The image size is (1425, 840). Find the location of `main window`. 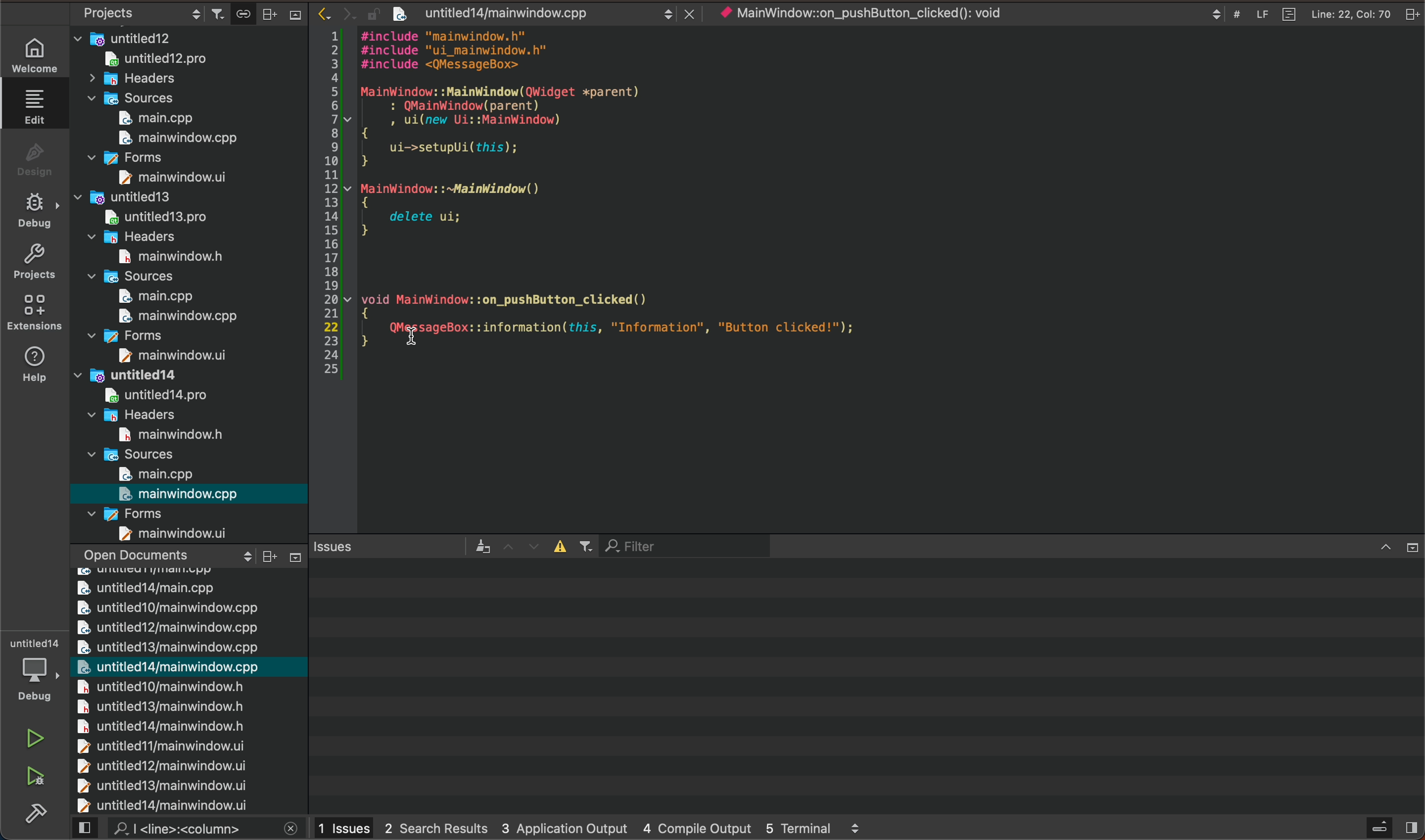

main window is located at coordinates (162, 256).